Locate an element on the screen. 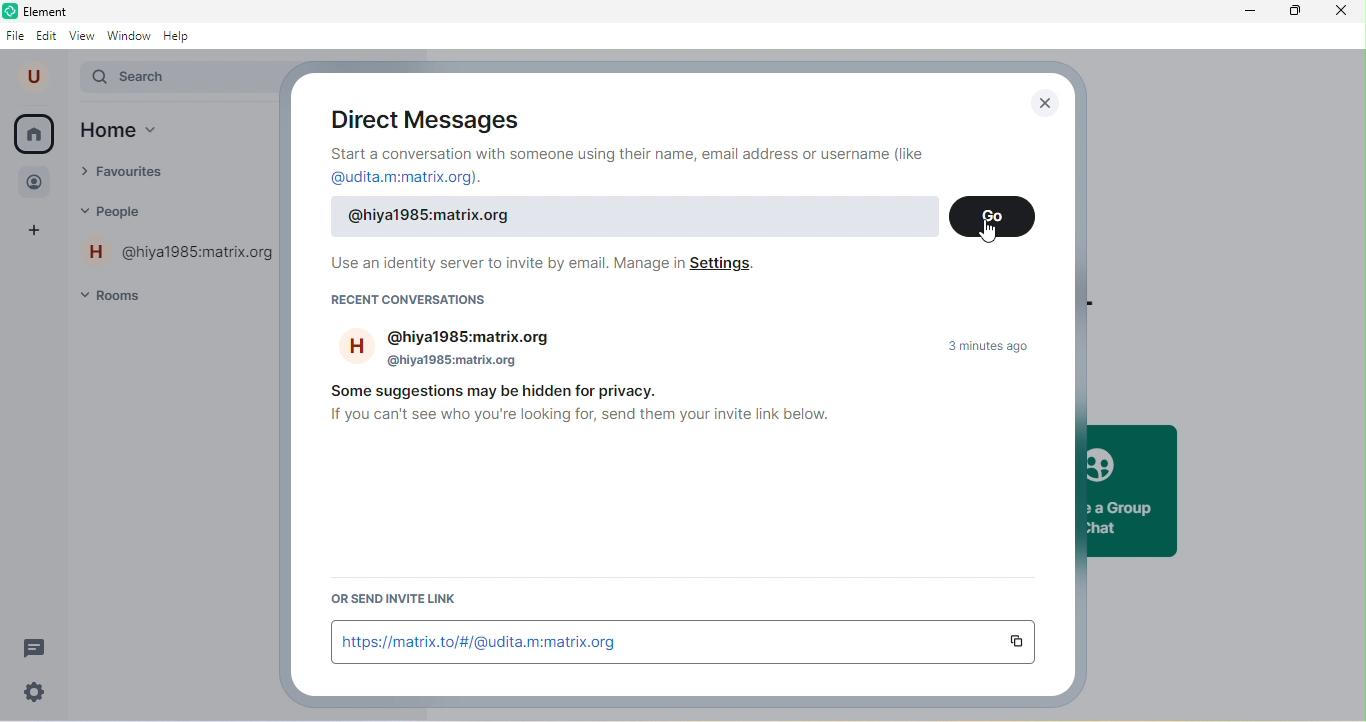 The image size is (1366, 722). minimize is located at coordinates (1240, 12).